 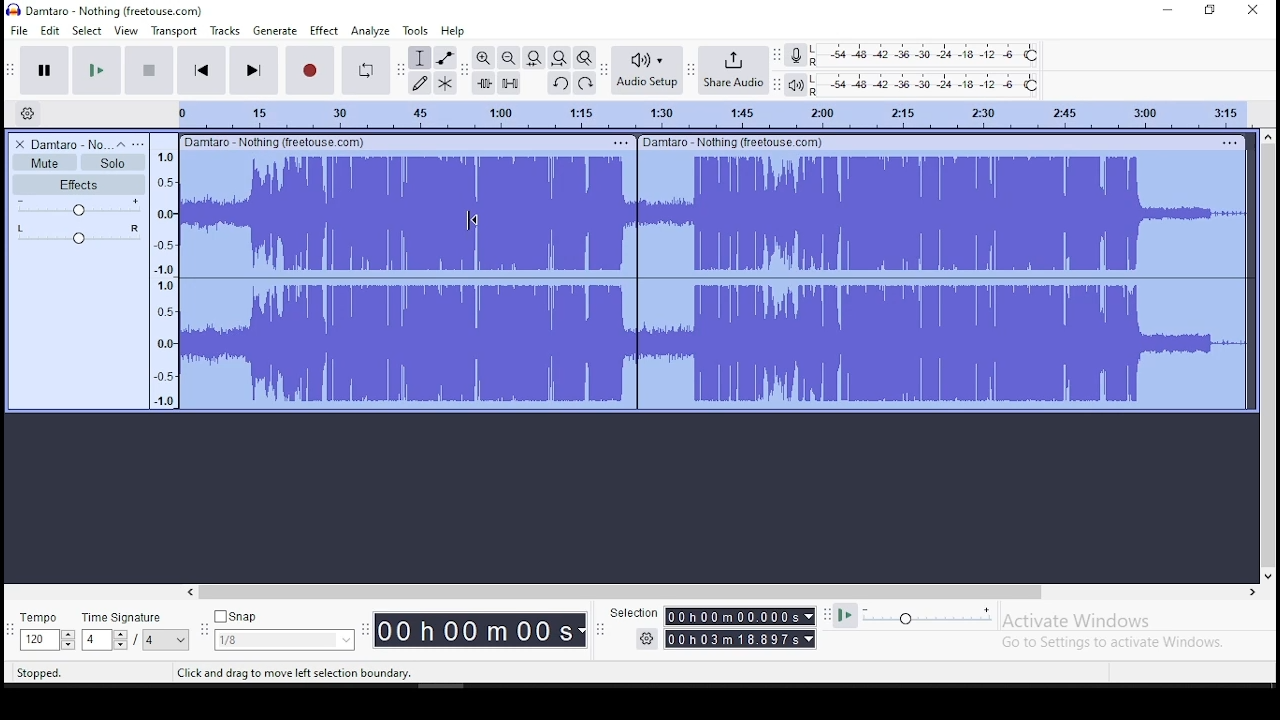 What do you see at coordinates (139, 143) in the screenshot?
I see `open menu` at bounding box center [139, 143].